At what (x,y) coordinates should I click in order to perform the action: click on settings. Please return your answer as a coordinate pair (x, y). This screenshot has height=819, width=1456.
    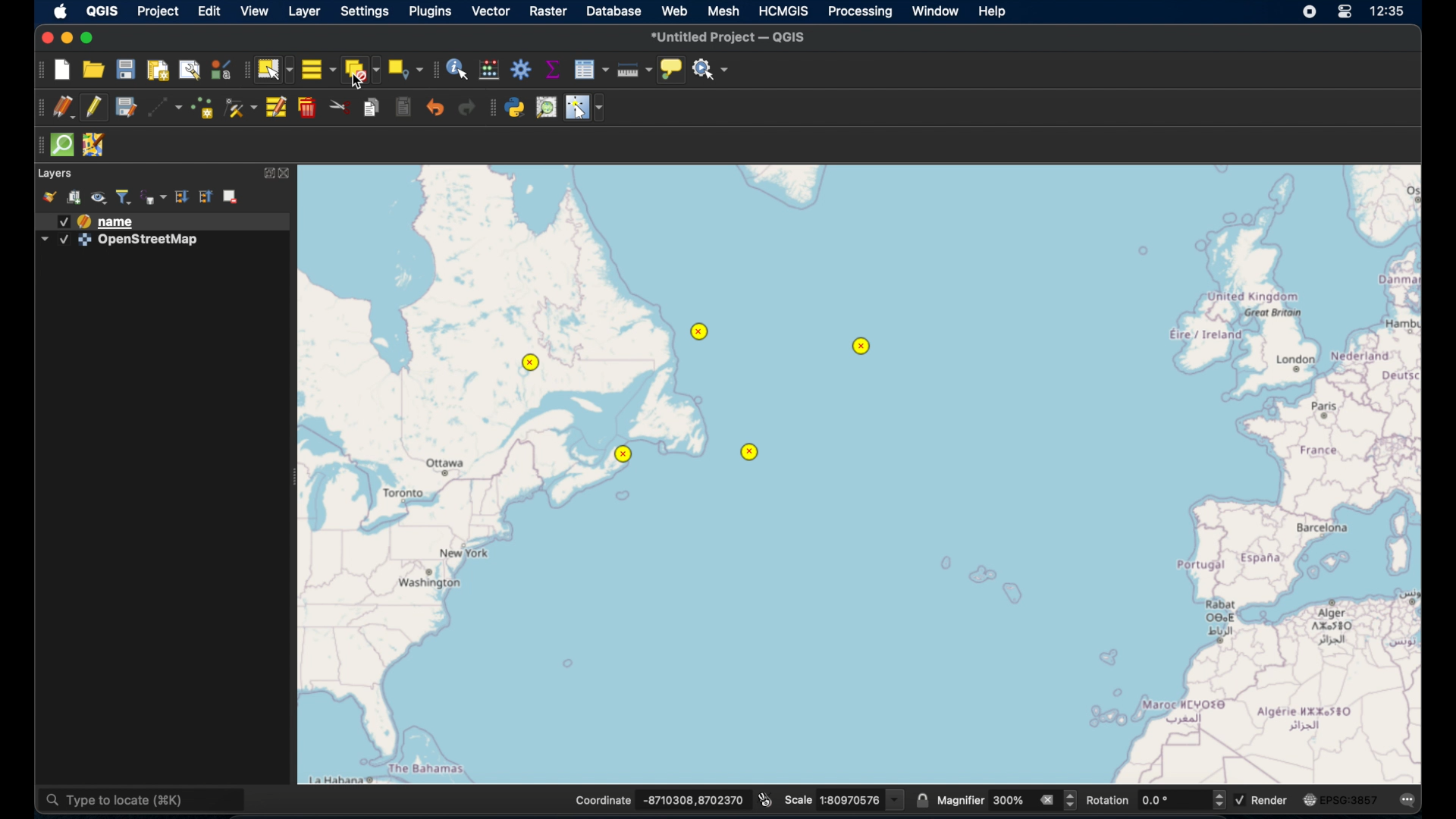
    Looking at the image, I should click on (366, 14).